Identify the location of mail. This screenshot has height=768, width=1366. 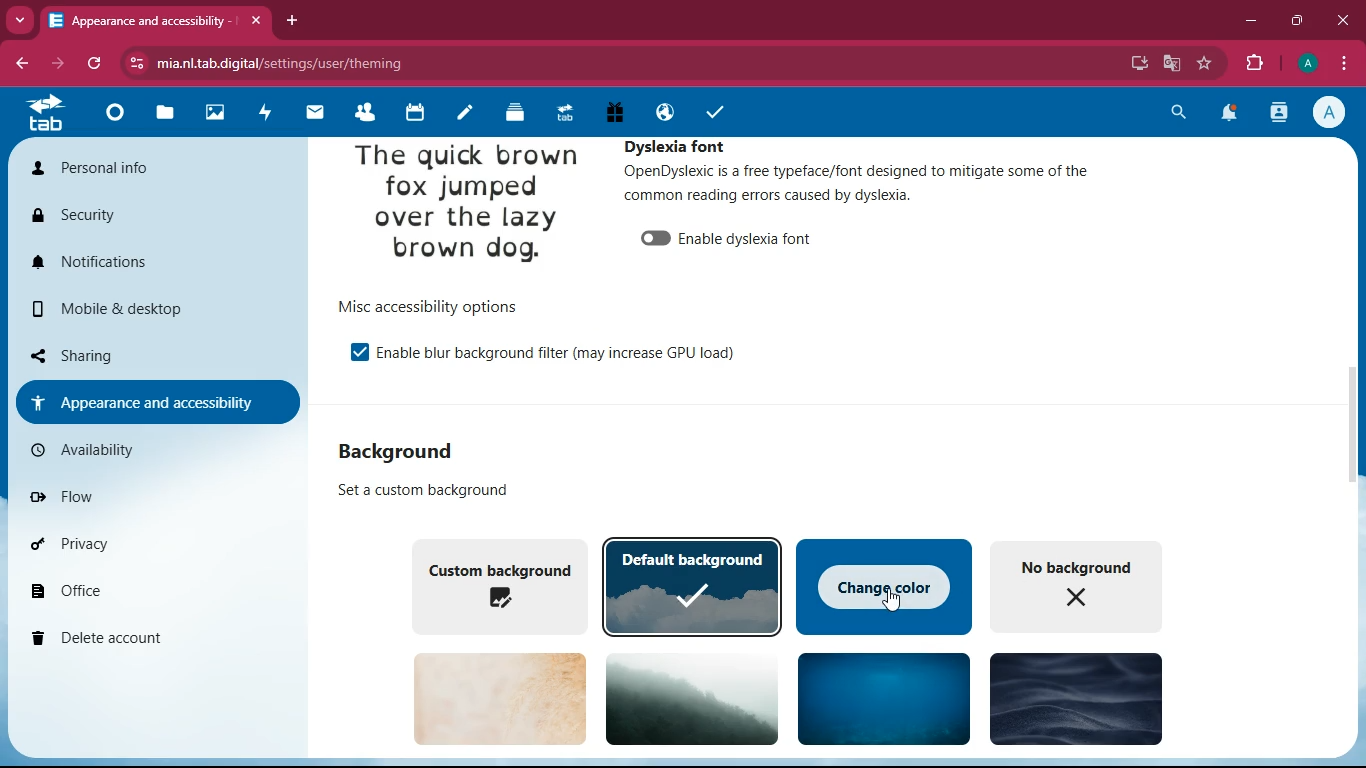
(310, 113).